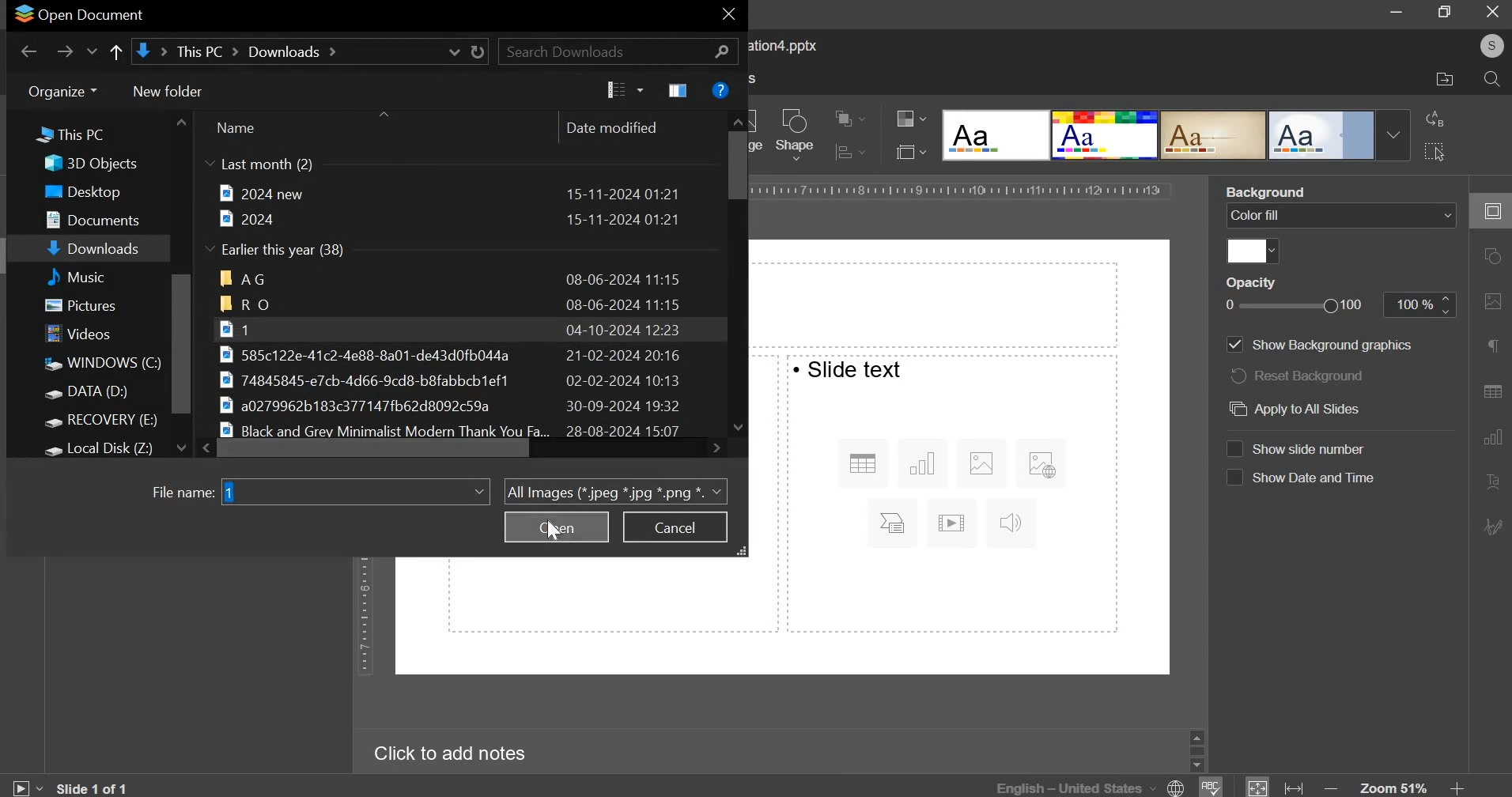  What do you see at coordinates (1196, 750) in the screenshot?
I see `slider` at bounding box center [1196, 750].